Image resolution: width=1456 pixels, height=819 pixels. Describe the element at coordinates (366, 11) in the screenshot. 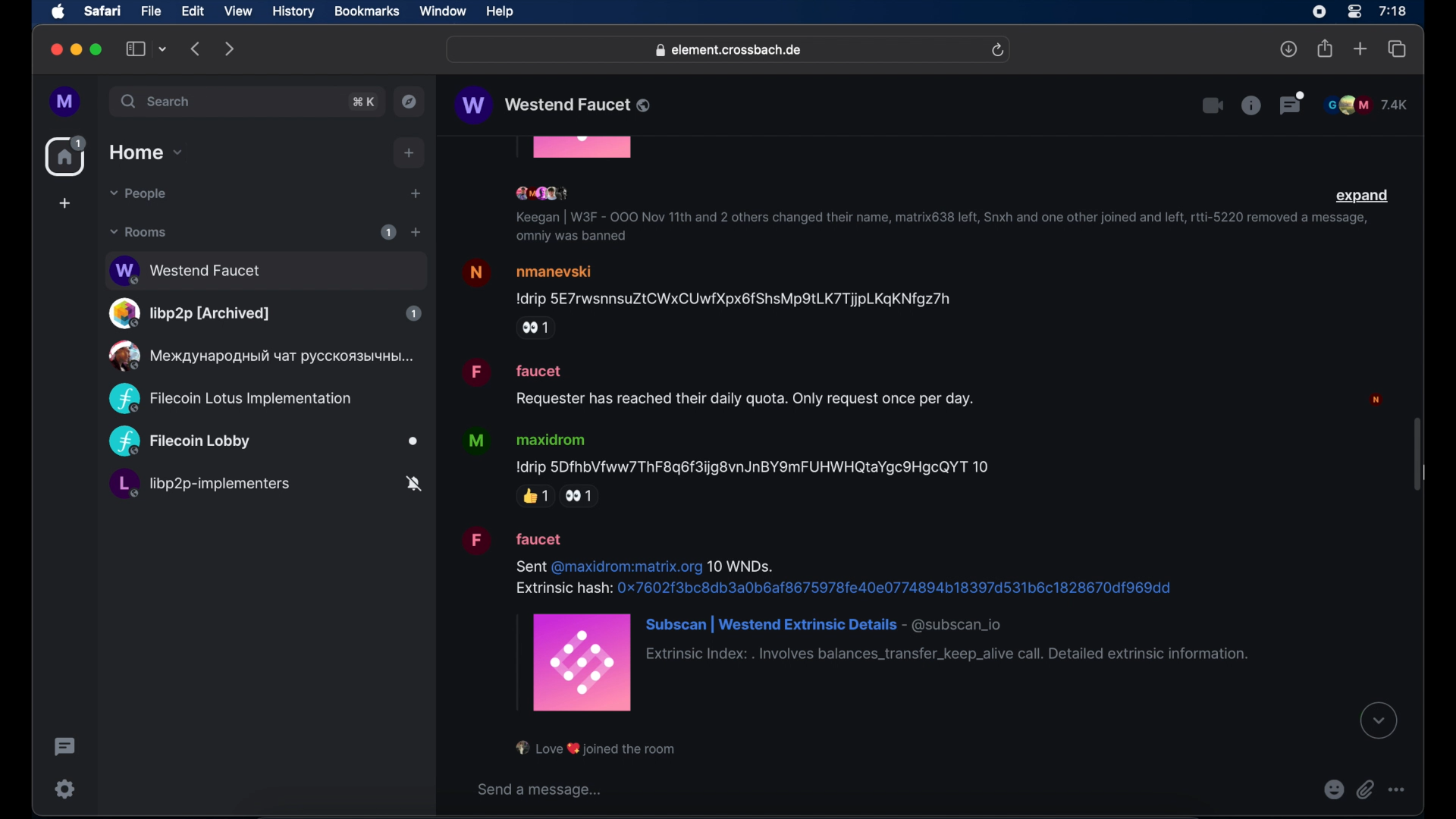

I see `bookmarks` at that location.